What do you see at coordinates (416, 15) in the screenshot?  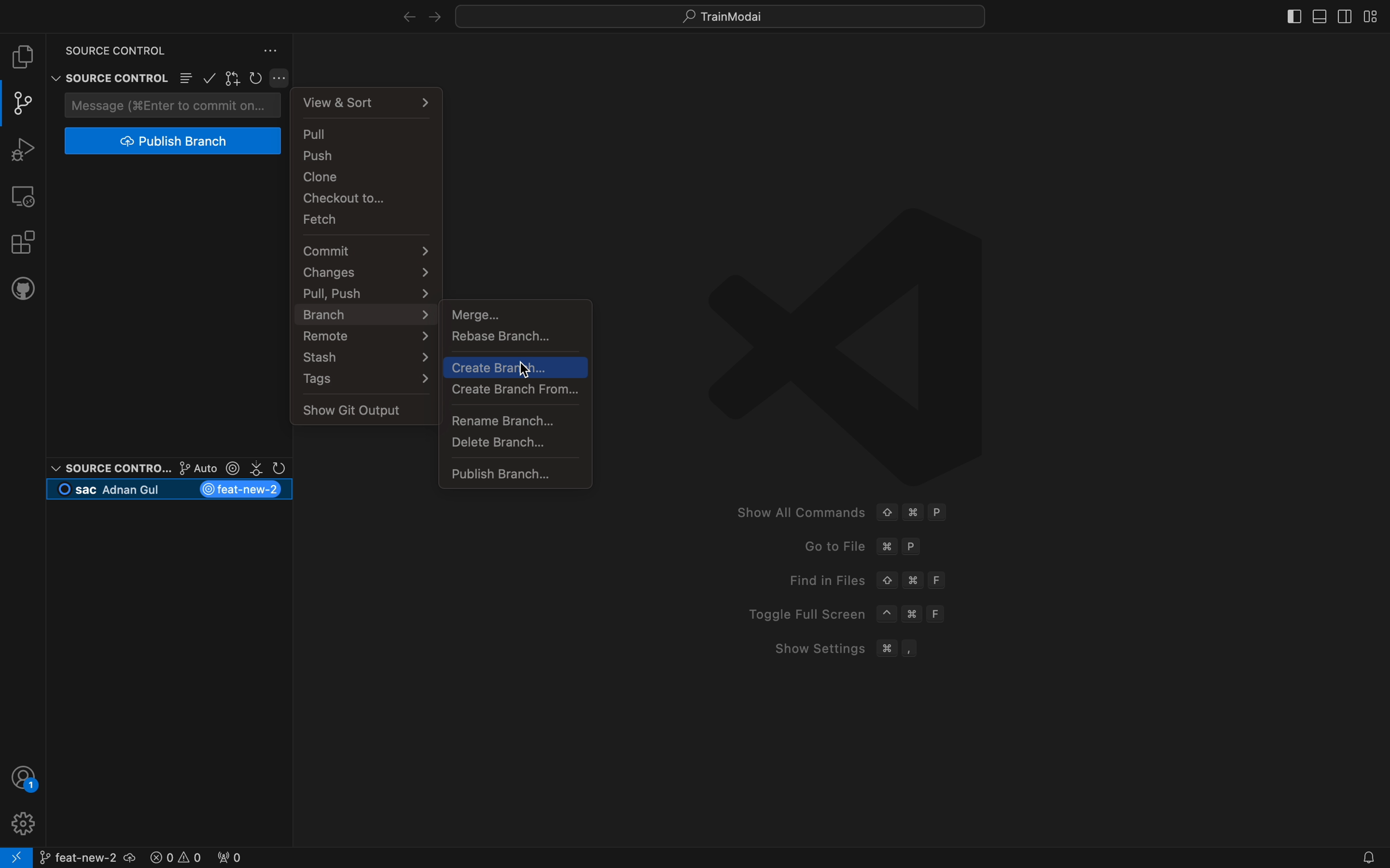 I see `arrows` at bounding box center [416, 15].